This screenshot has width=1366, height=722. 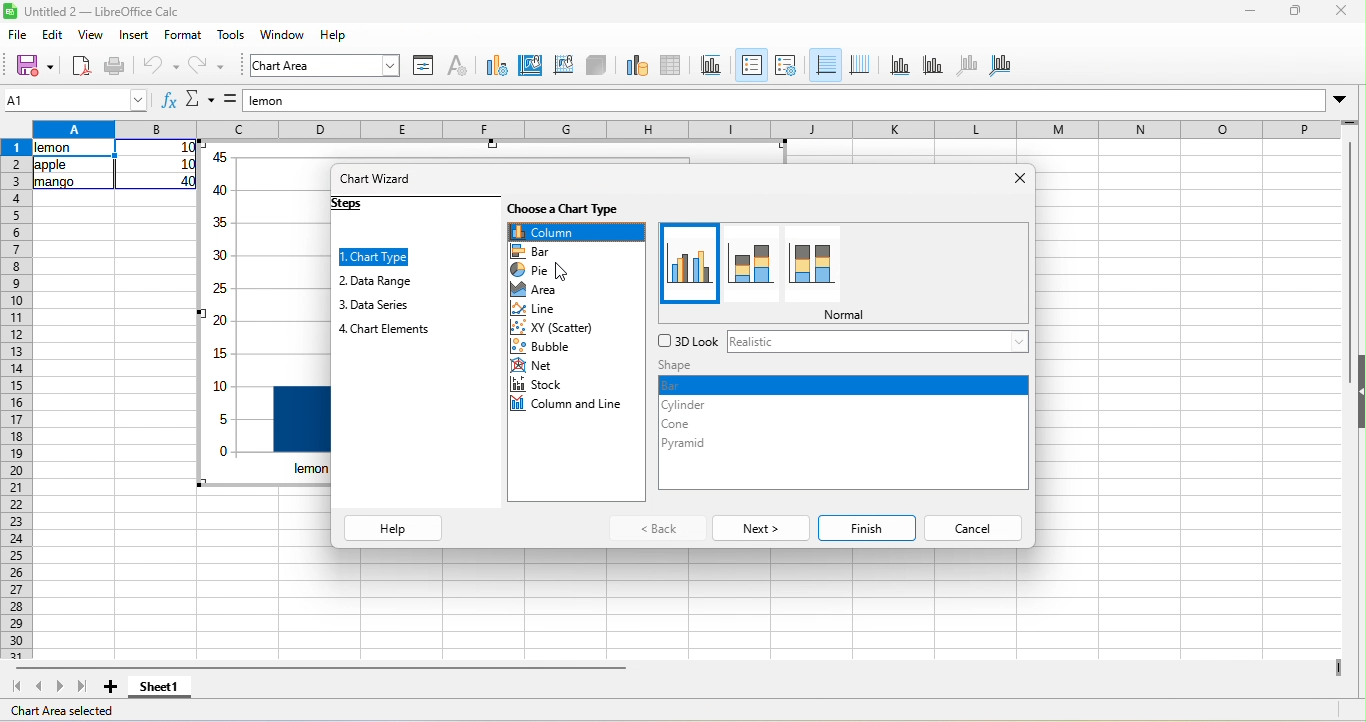 I want to click on maximize, so click(x=1292, y=12).